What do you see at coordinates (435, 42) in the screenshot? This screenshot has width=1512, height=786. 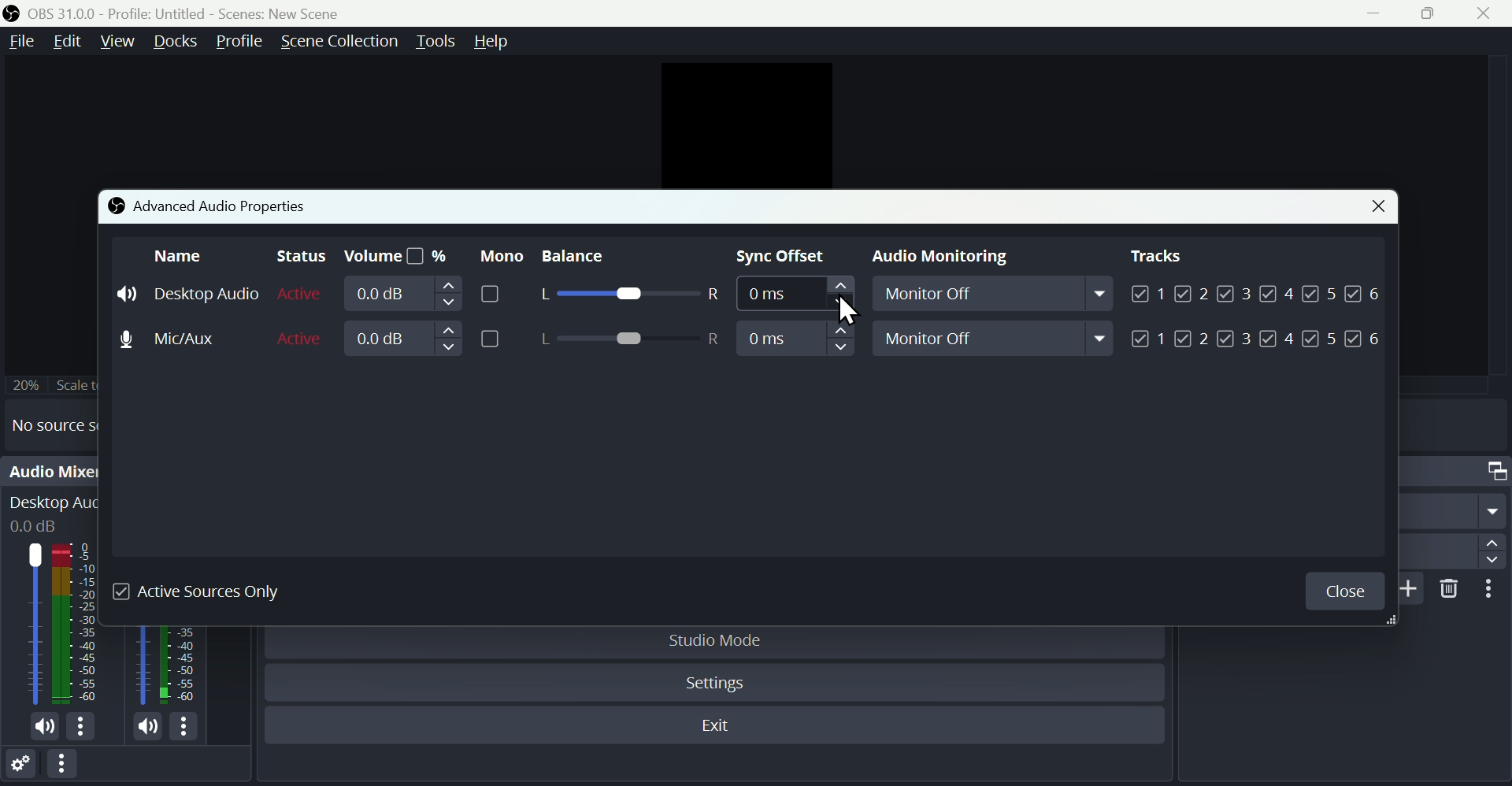 I see `Tools` at bounding box center [435, 42].